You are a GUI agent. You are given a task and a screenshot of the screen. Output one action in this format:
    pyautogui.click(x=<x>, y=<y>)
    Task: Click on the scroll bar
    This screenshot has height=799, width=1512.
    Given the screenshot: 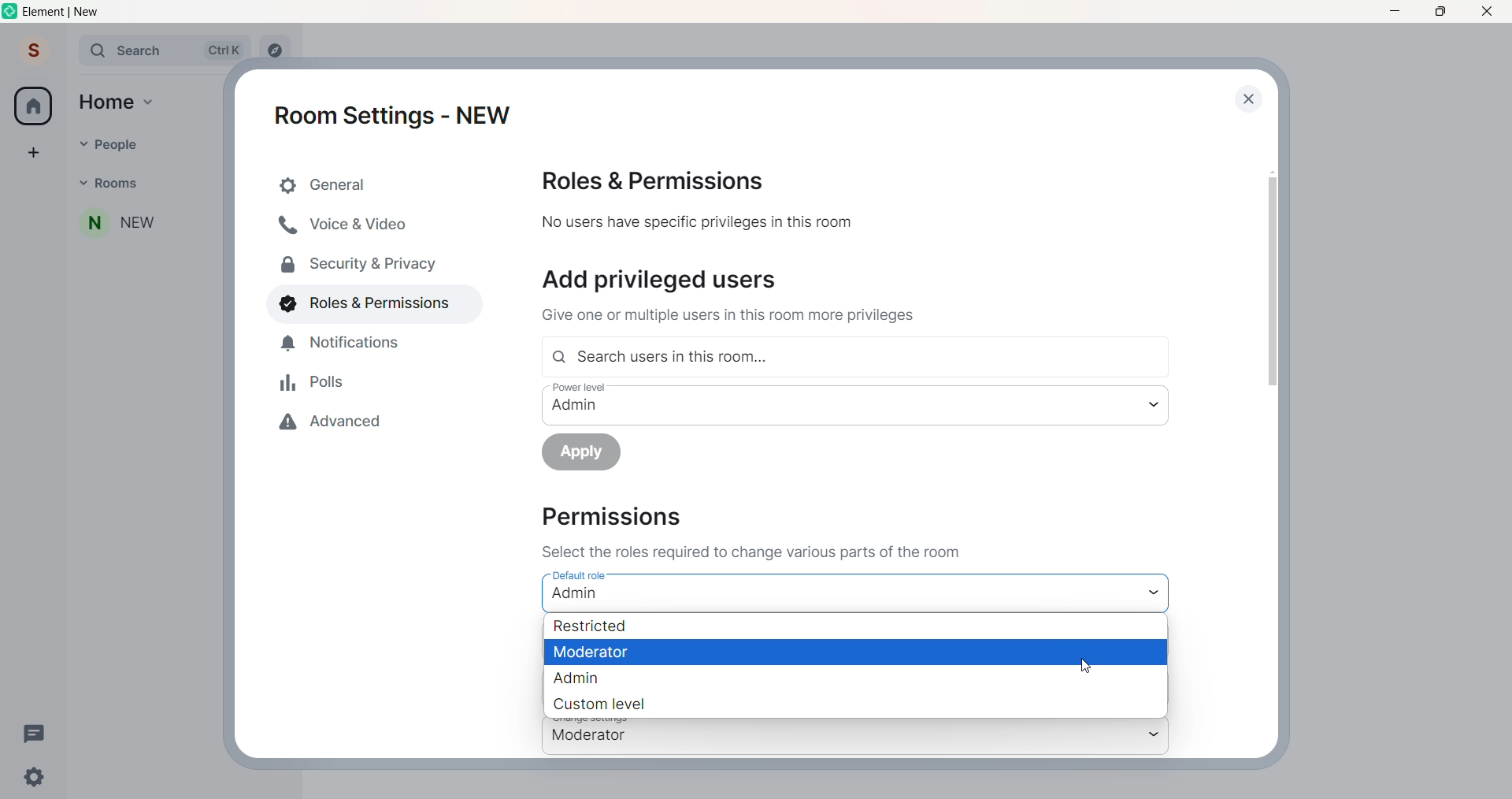 What is the action you would take?
    pyautogui.click(x=1275, y=271)
    